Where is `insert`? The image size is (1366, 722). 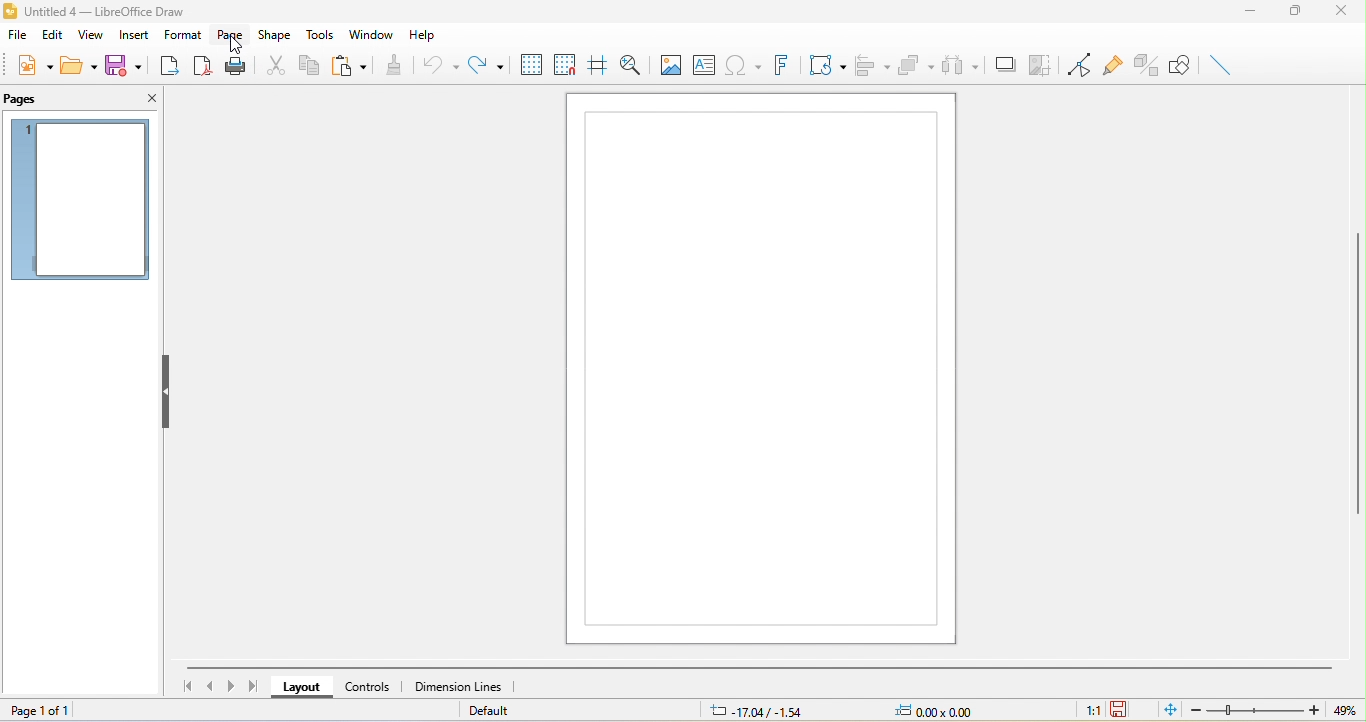
insert is located at coordinates (135, 35).